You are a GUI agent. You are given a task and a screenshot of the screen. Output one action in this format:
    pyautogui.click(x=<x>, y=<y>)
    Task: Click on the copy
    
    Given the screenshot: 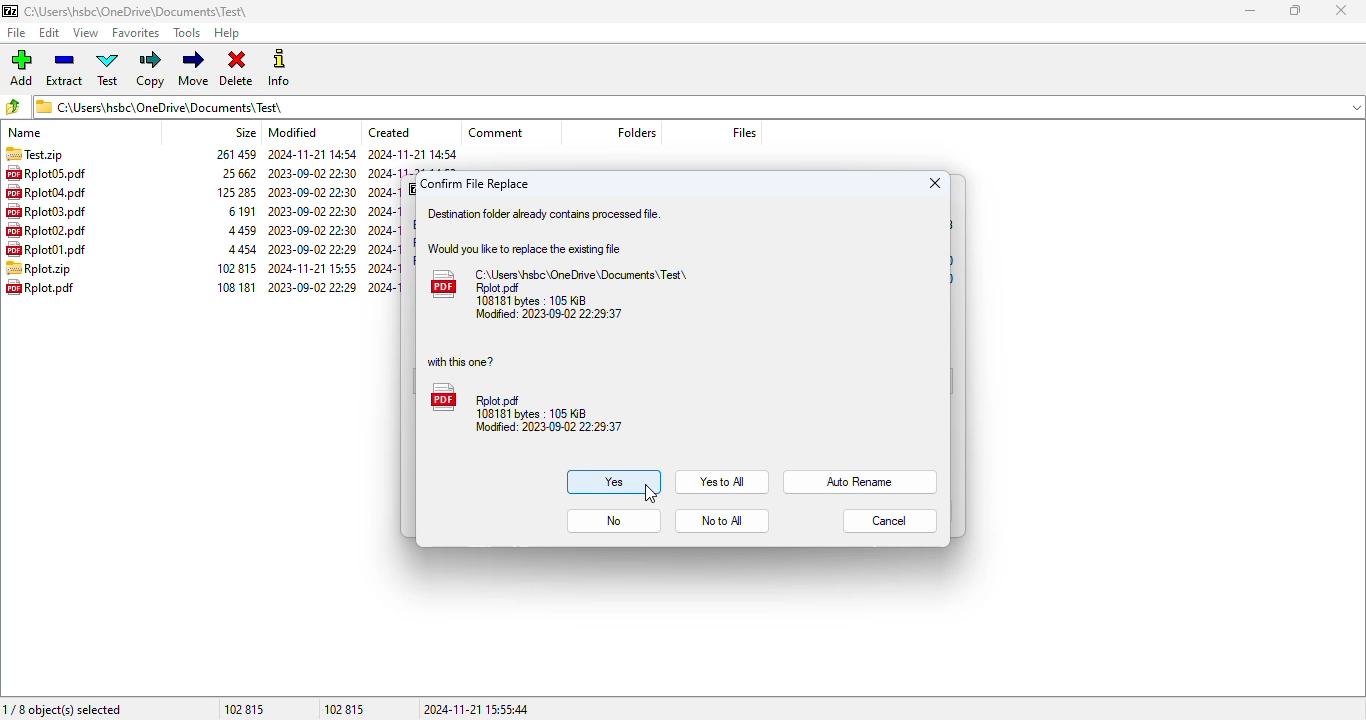 What is the action you would take?
    pyautogui.click(x=150, y=68)
    